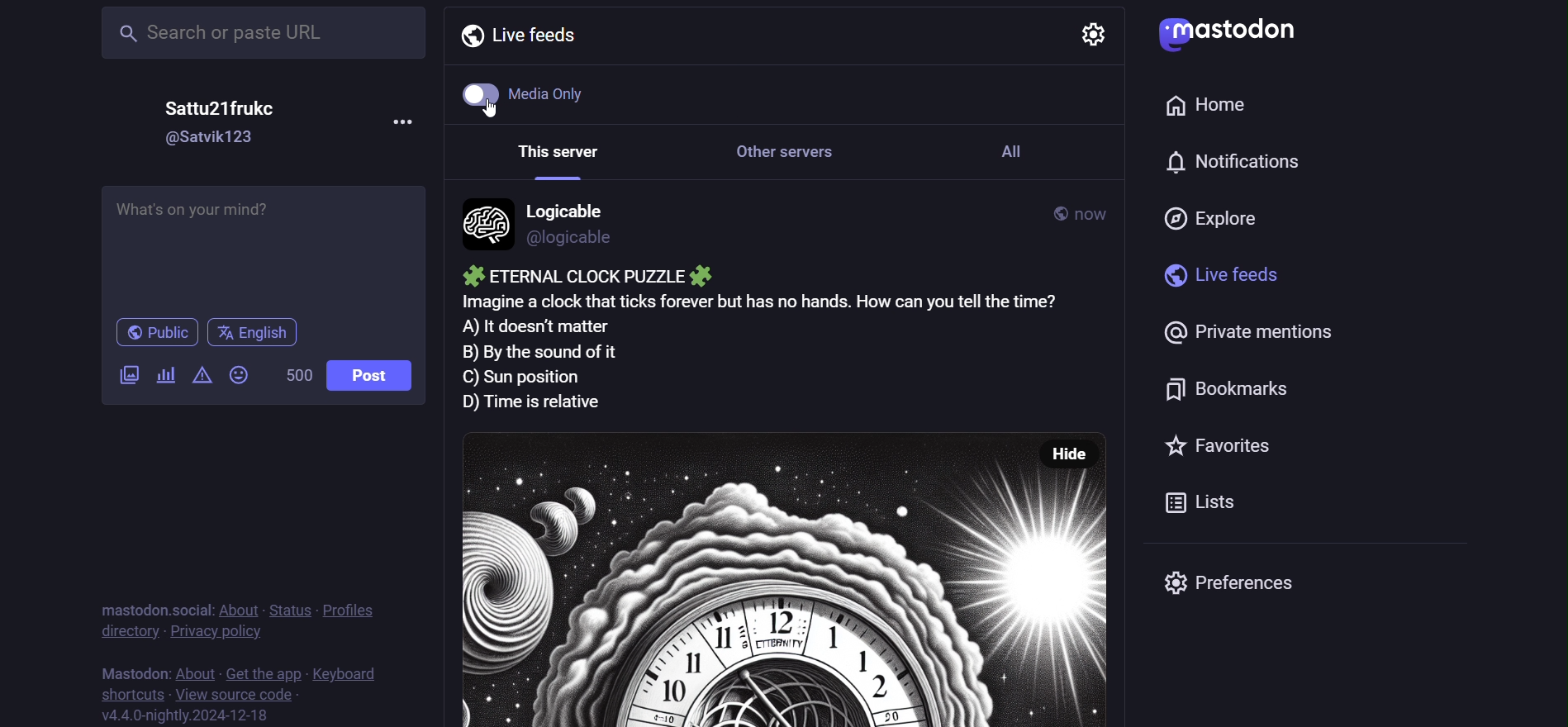 The image size is (1568, 727). Describe the element at coordinates (1213, 273) in the screenshot. I see `live feed` at that location.